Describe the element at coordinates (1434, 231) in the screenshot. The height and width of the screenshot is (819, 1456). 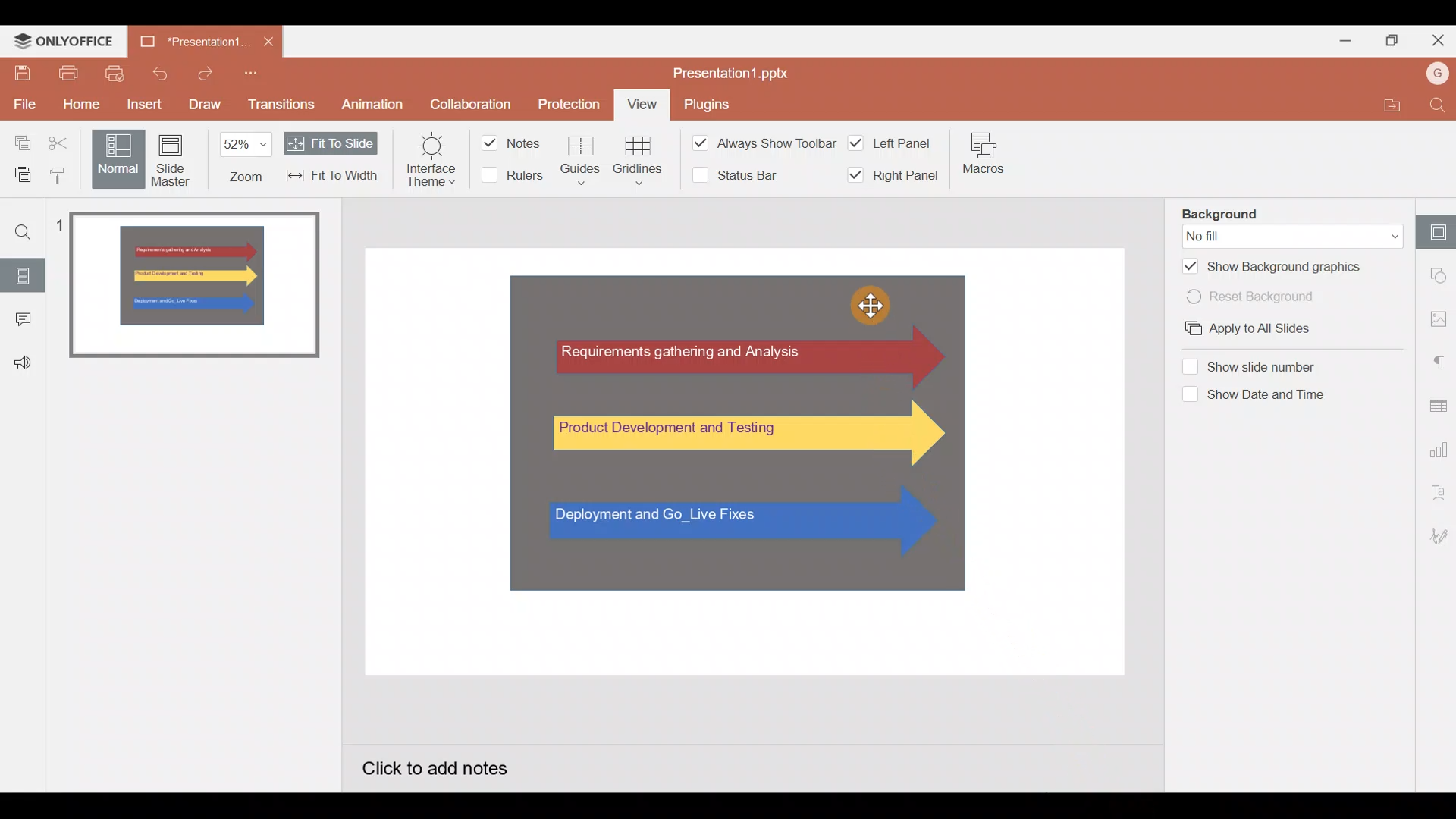
I see `Slide settings` at that location.